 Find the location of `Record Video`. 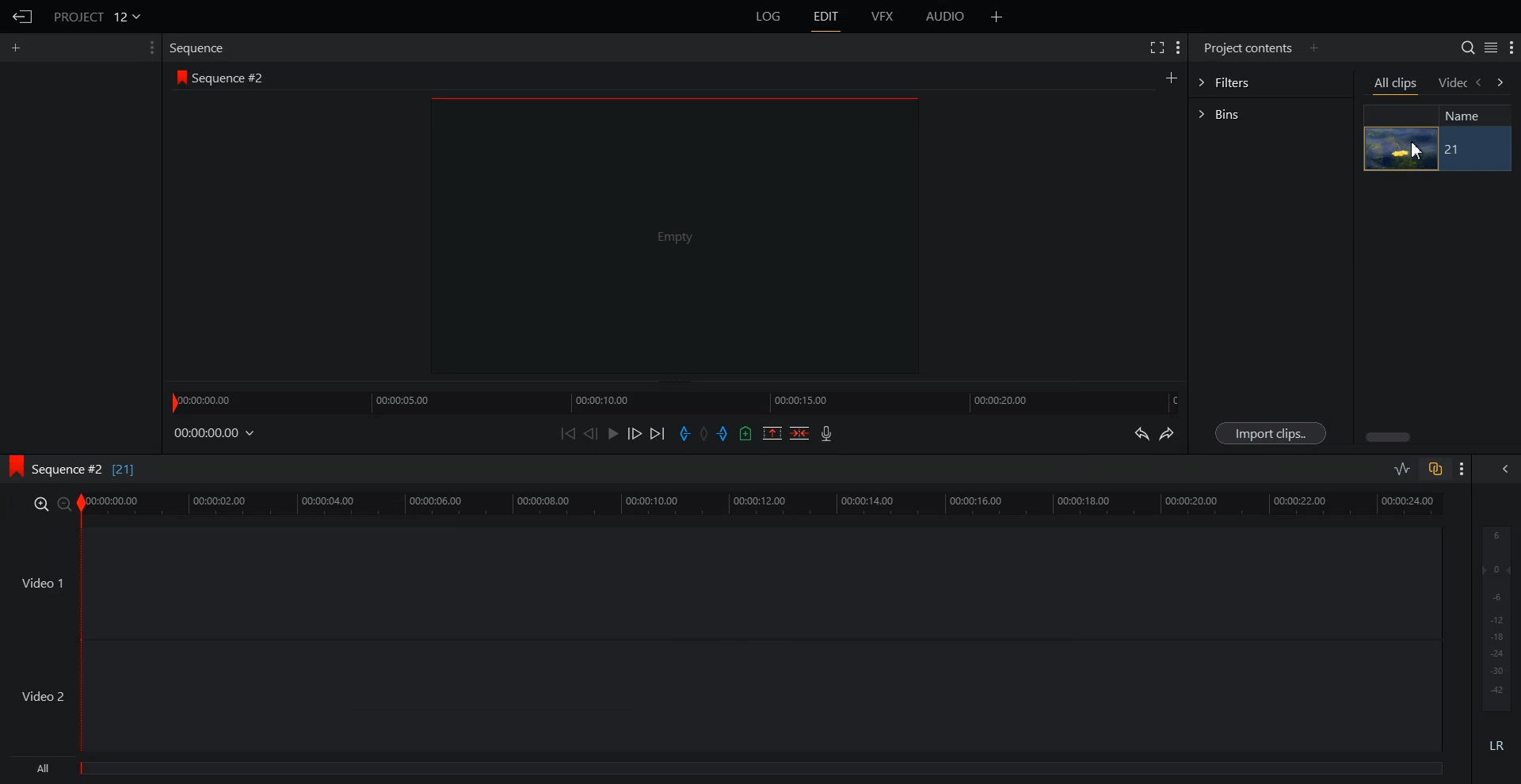

Record Video is located at coordinates (828, 435).